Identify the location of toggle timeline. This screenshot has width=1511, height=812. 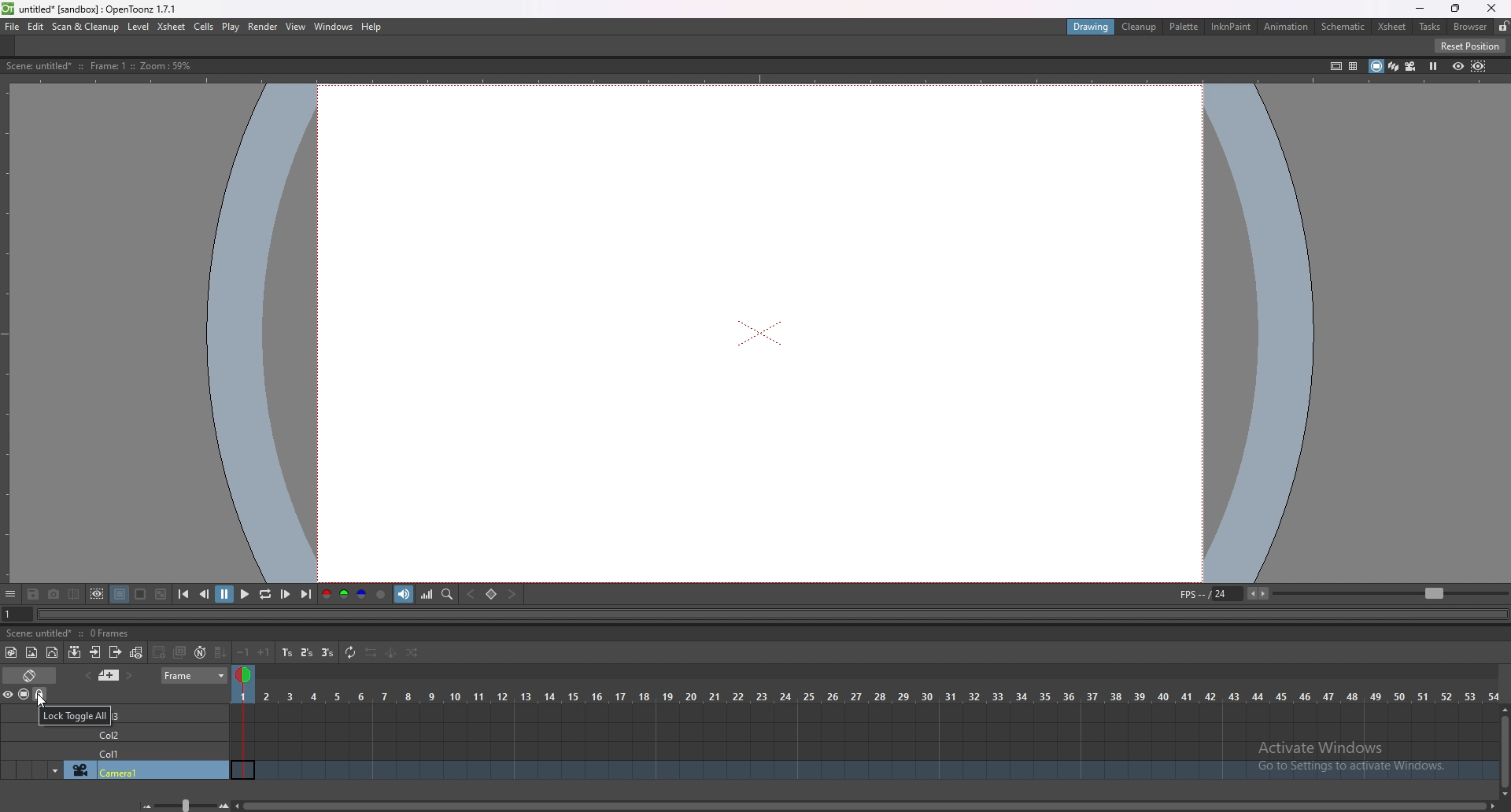
(30, 674).